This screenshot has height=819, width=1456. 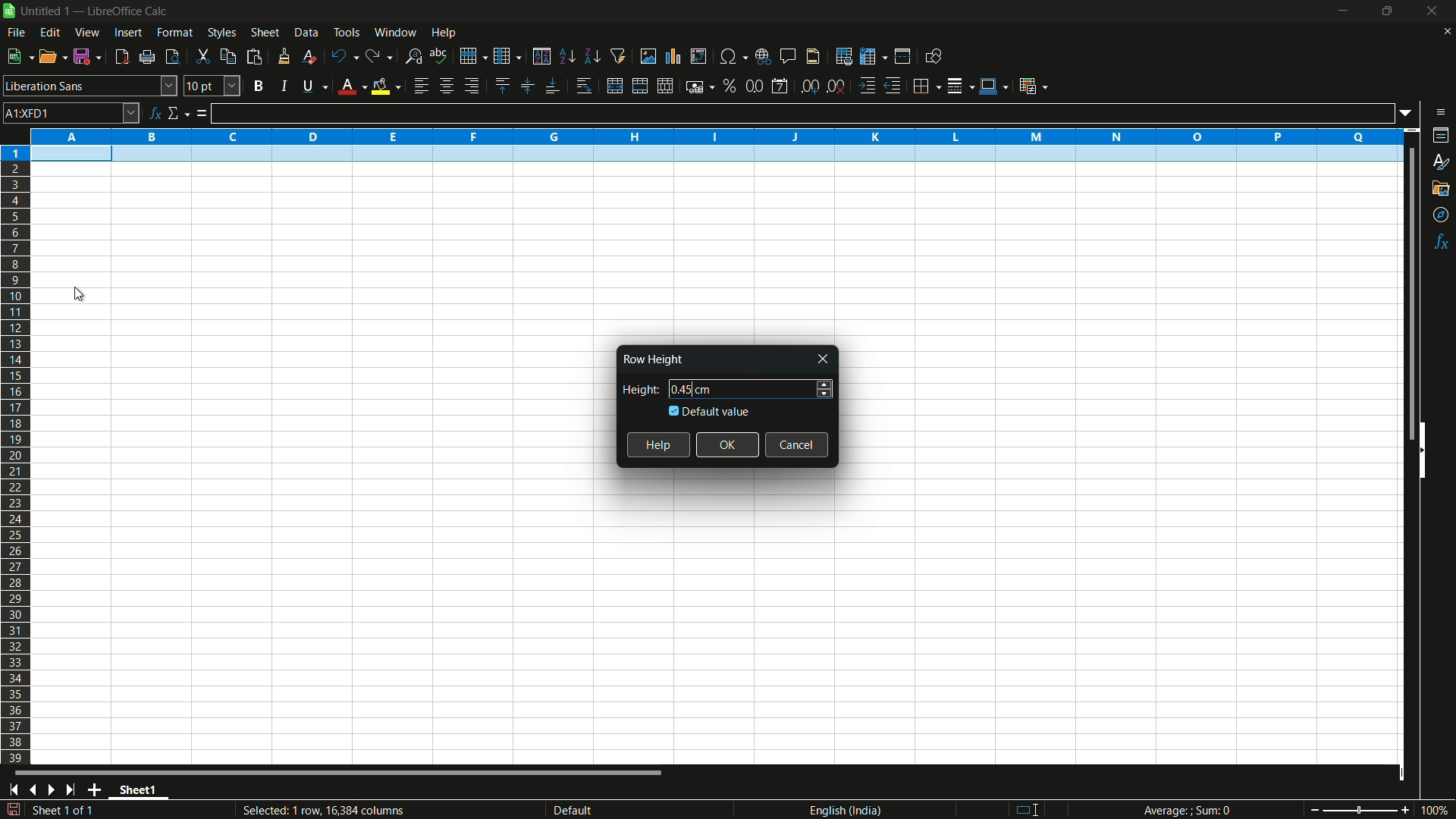 What do you see at coordinates (439, 55) in the screenshot?
I see `spelling` at bounding box center [439, 55].